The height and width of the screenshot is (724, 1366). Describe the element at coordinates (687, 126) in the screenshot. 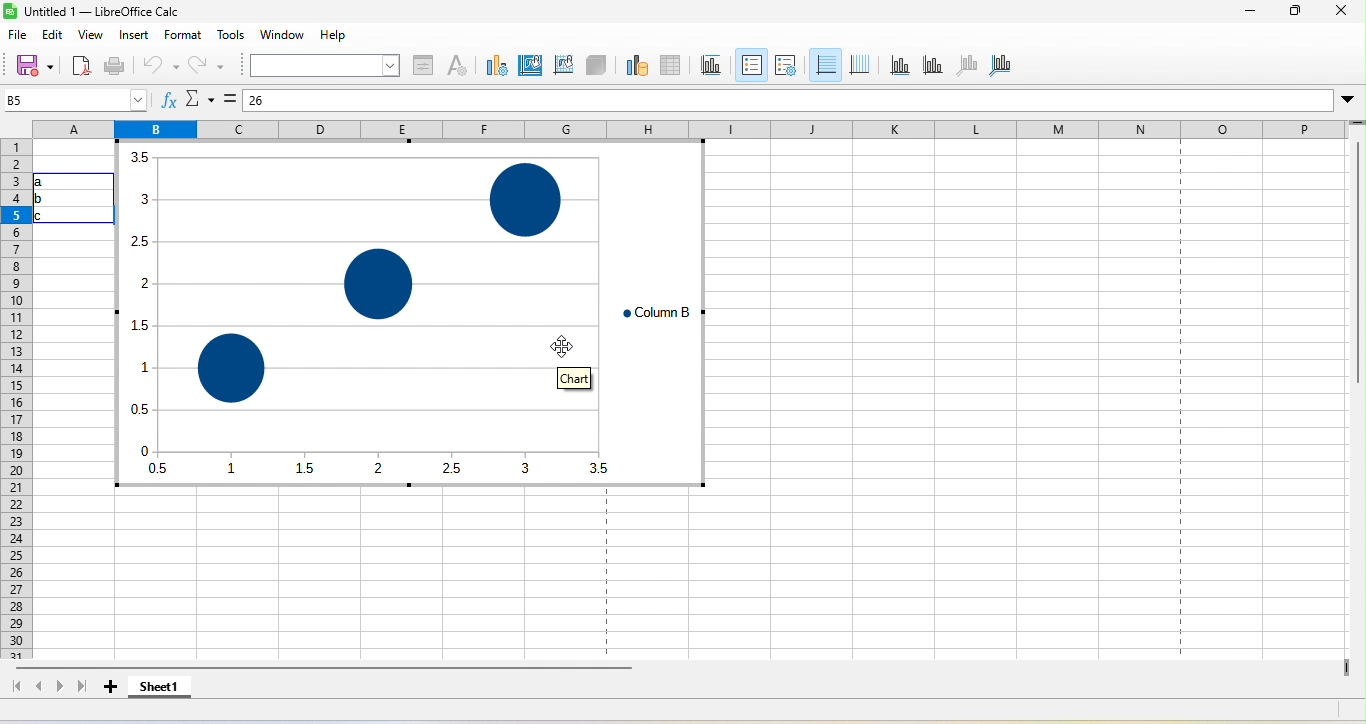

I see `column headings` at that location.